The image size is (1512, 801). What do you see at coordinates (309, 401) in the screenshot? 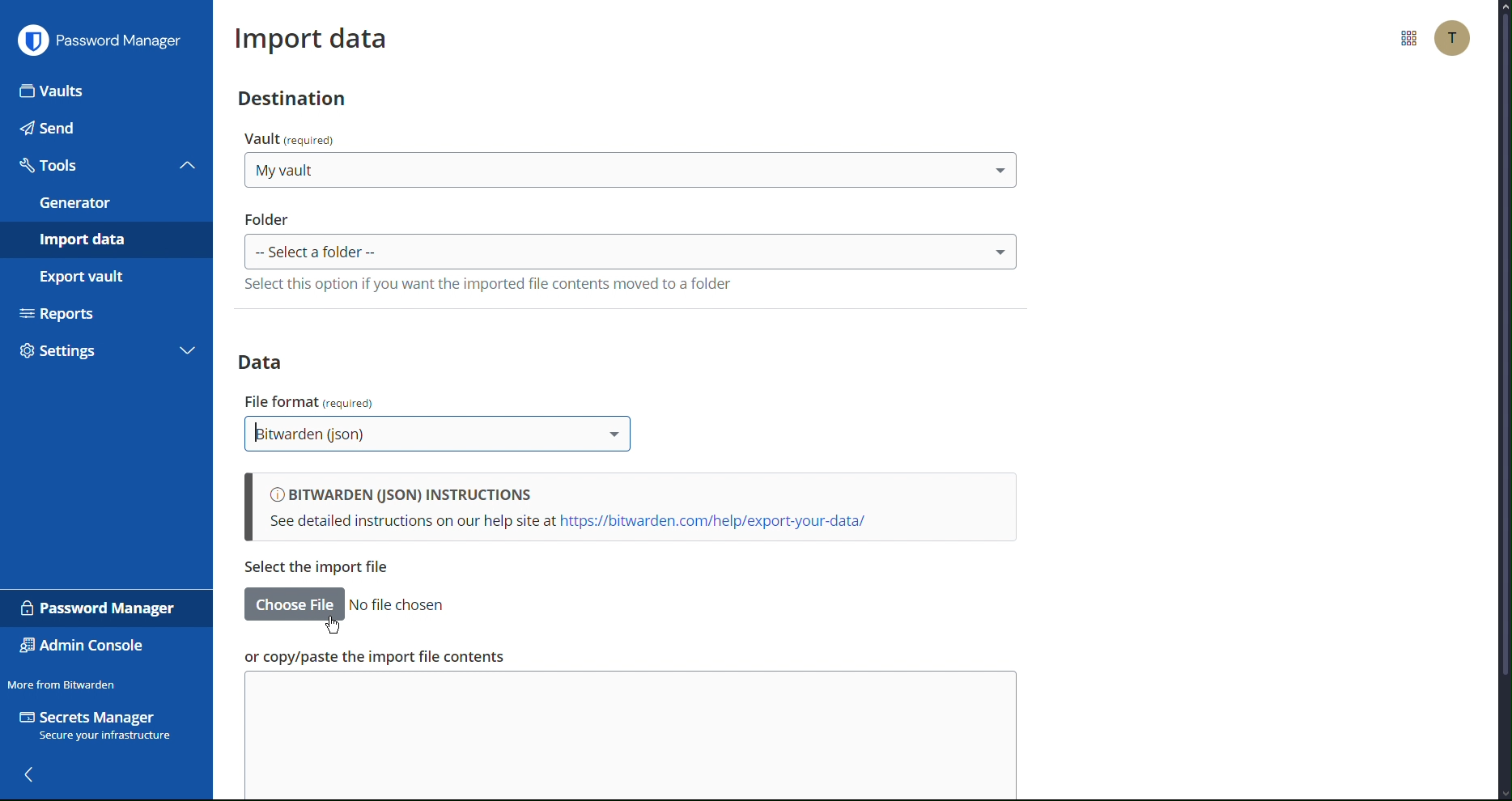
I see `file format` at bounding box center [309, 401].